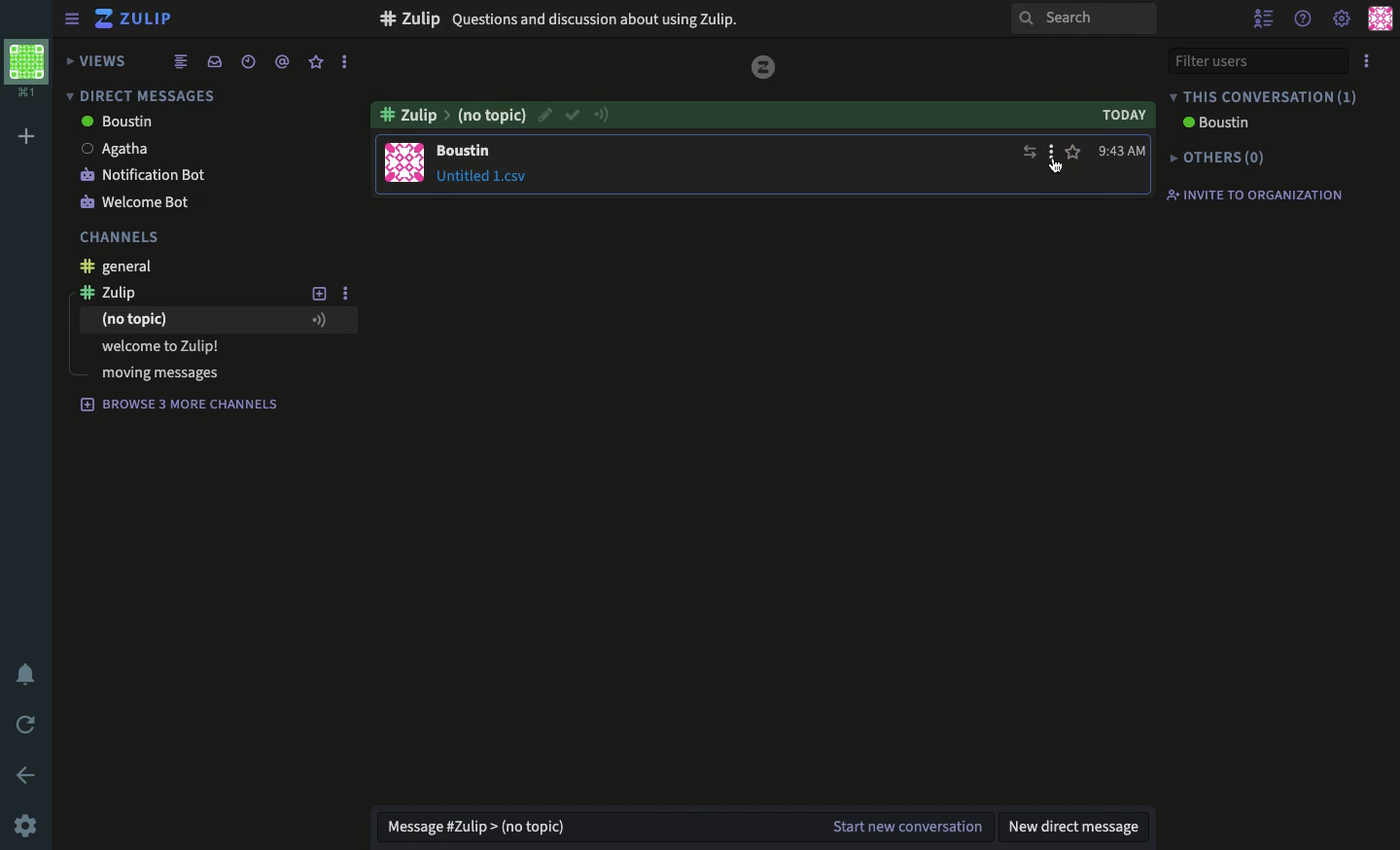 The width and height of the screenshot is (1400, 850). Describe the element at coordinates (181, 62) in the screenshot. I see `combined feed` at that location.